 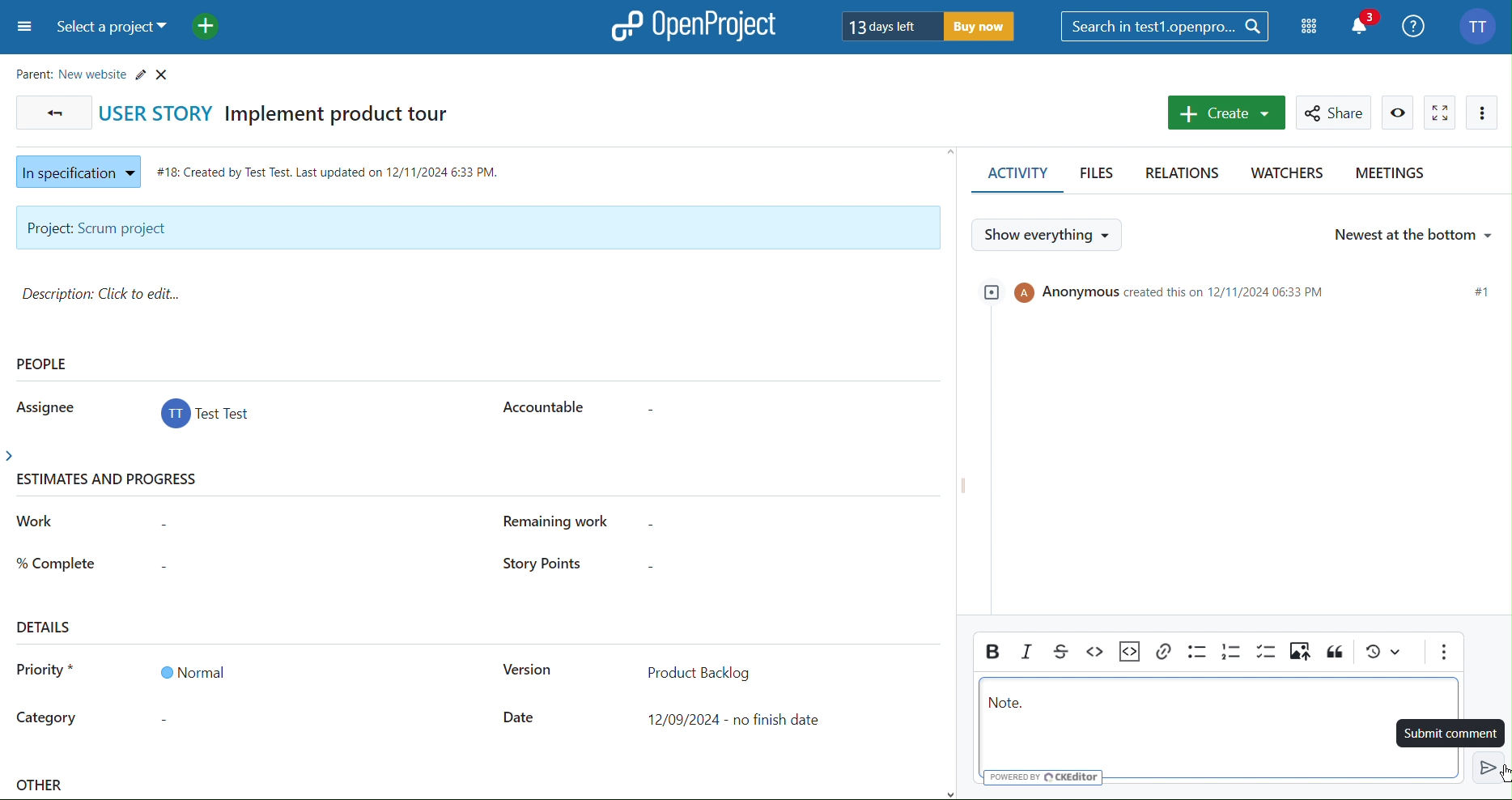 What do you see at coordinates (1412, 232) in the screenshot?
I see `Newest at the bottom` at bounding box center [1412, 232].